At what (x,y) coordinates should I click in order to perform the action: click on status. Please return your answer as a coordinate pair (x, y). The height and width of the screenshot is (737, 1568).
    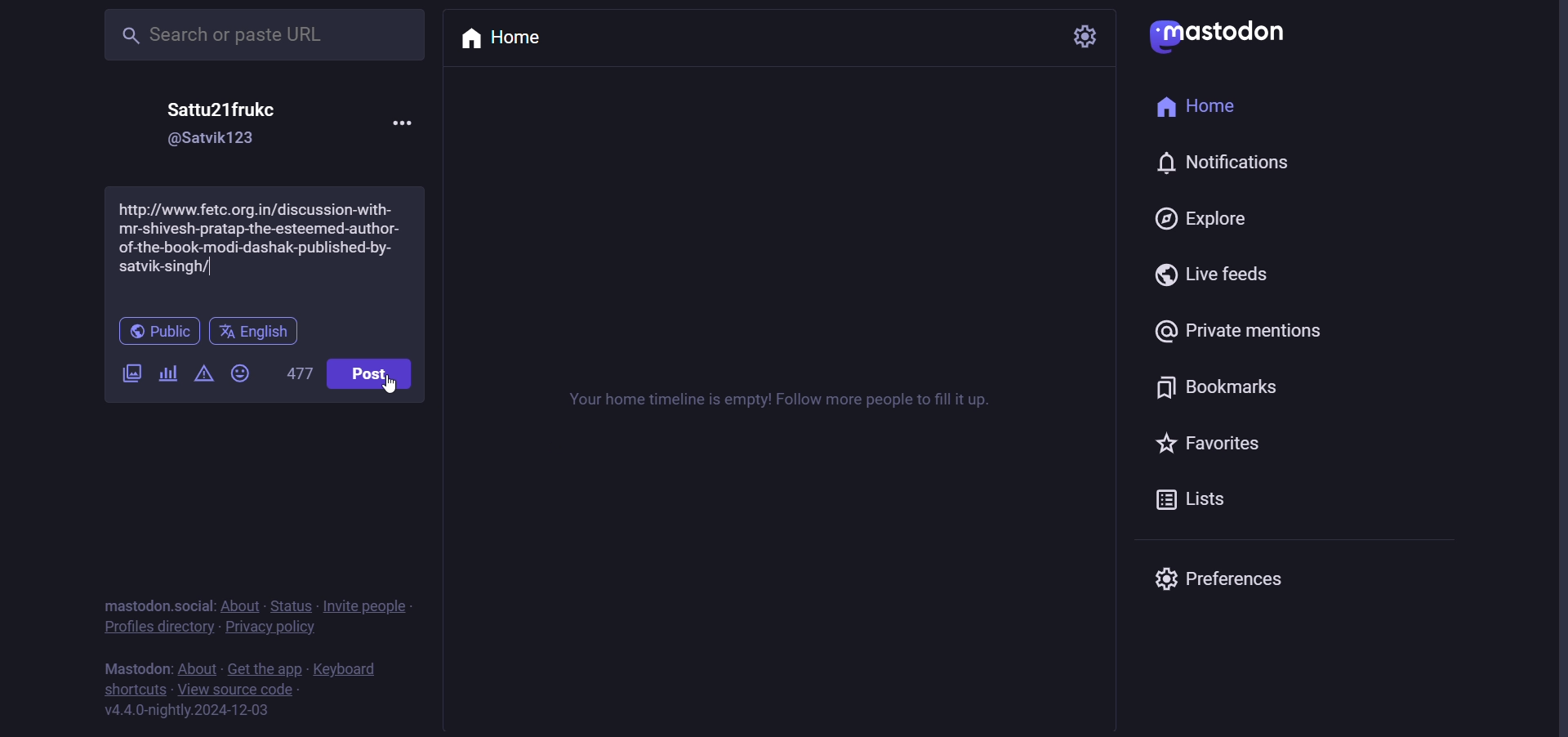
    Looking at the image, I should click on (290, 606).